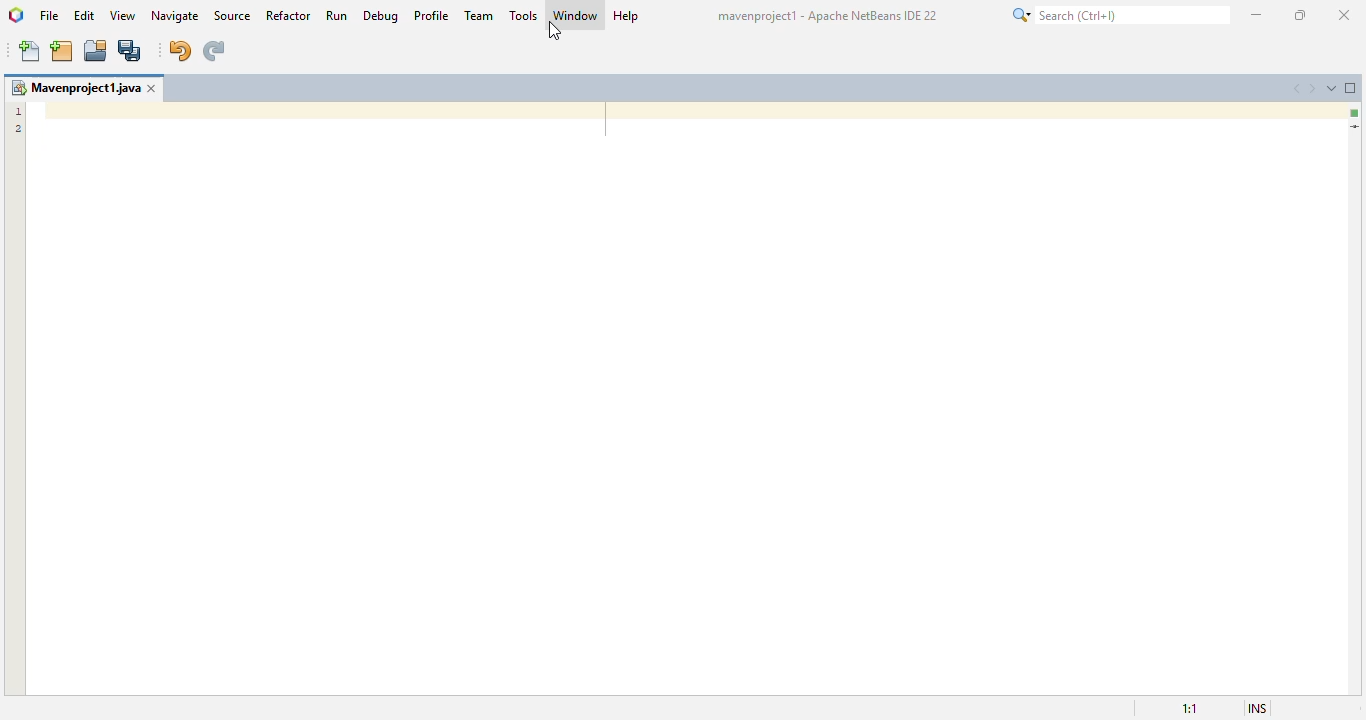  I want to click on file, so click(49, 16).